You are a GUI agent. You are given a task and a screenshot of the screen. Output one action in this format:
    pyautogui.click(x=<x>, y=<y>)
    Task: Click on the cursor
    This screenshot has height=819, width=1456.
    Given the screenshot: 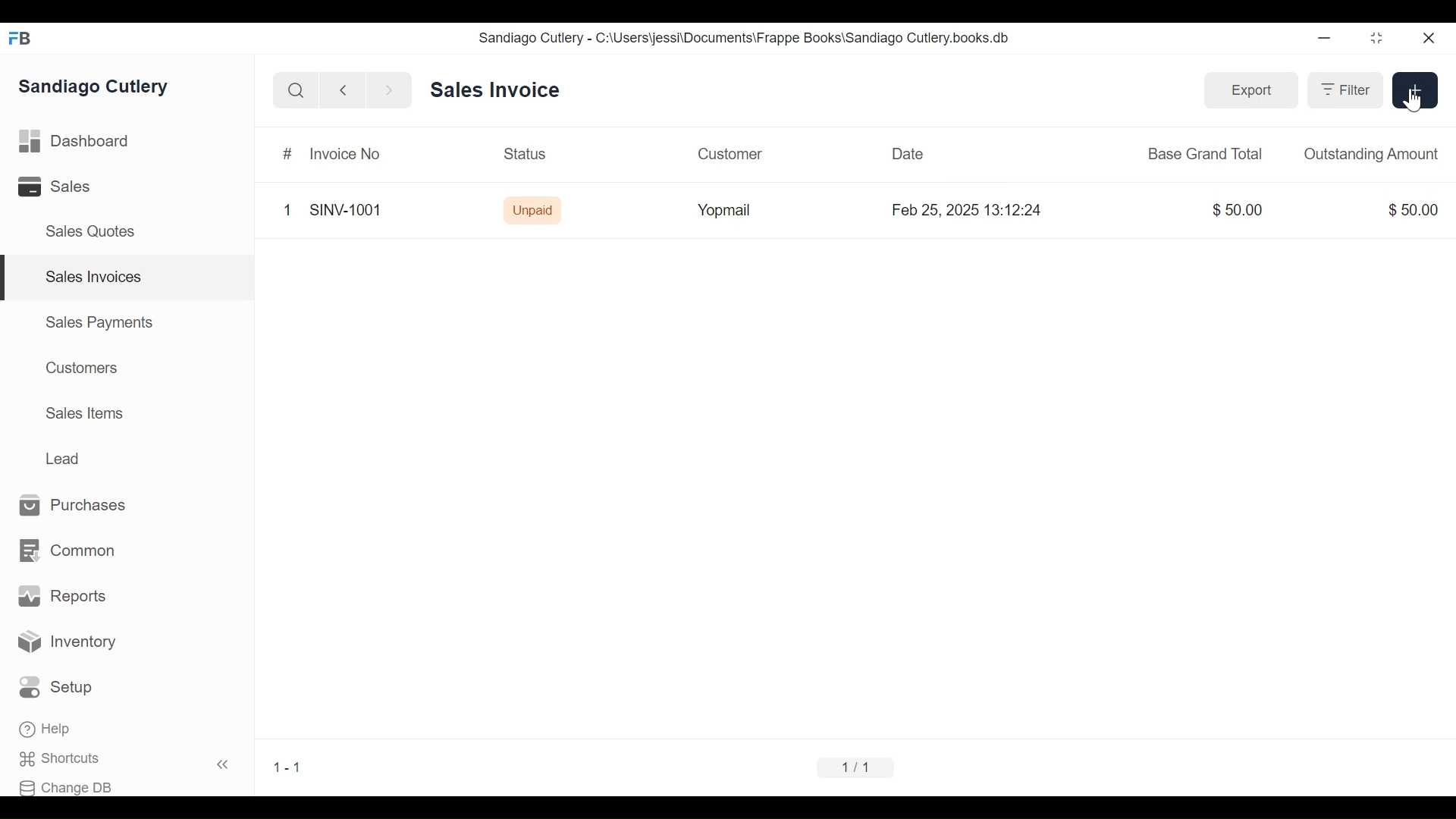 What is the action you would take?
    pyautogui.click(x=1414, y=102)
    